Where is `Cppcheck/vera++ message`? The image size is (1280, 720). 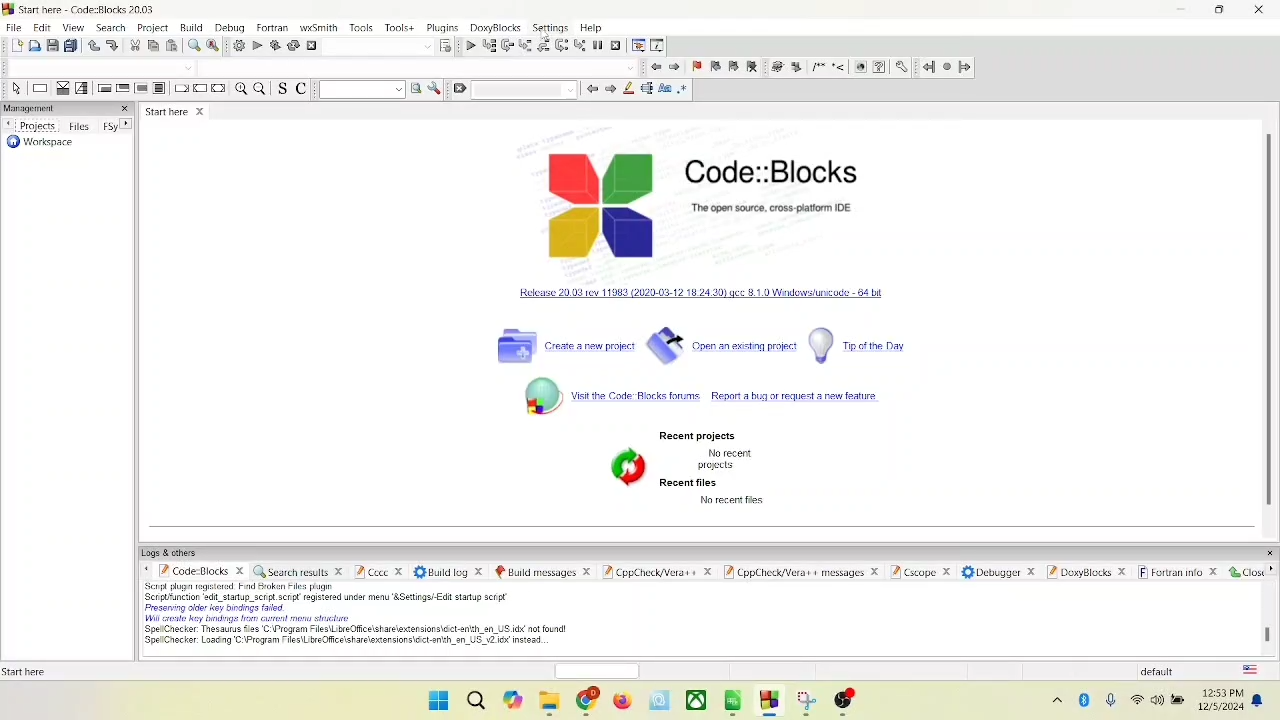
Cppcheck/vera++ message is located at coordinates (801, 570).